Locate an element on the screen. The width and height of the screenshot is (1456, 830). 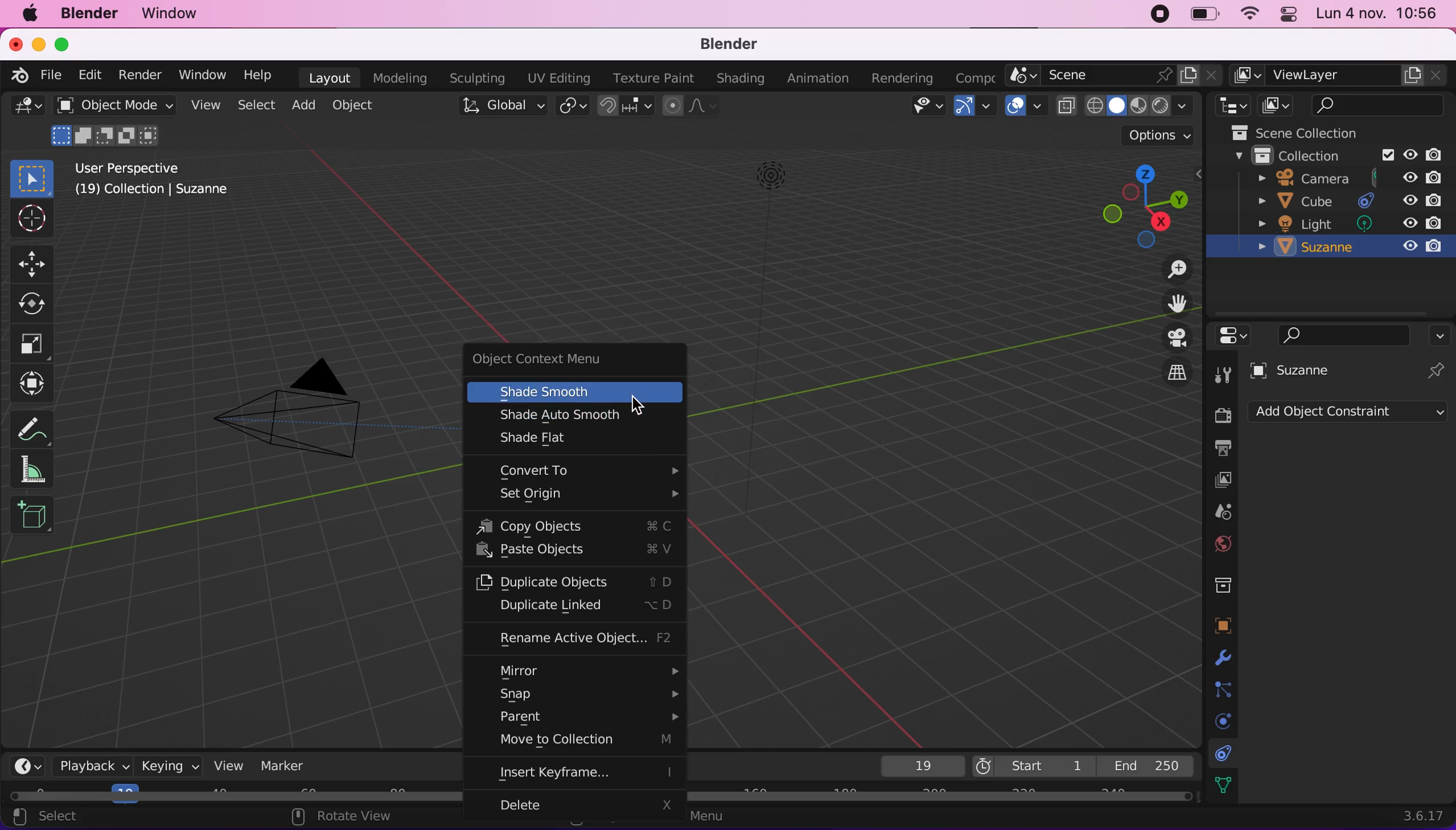
select is located at coordinates (59, 818).